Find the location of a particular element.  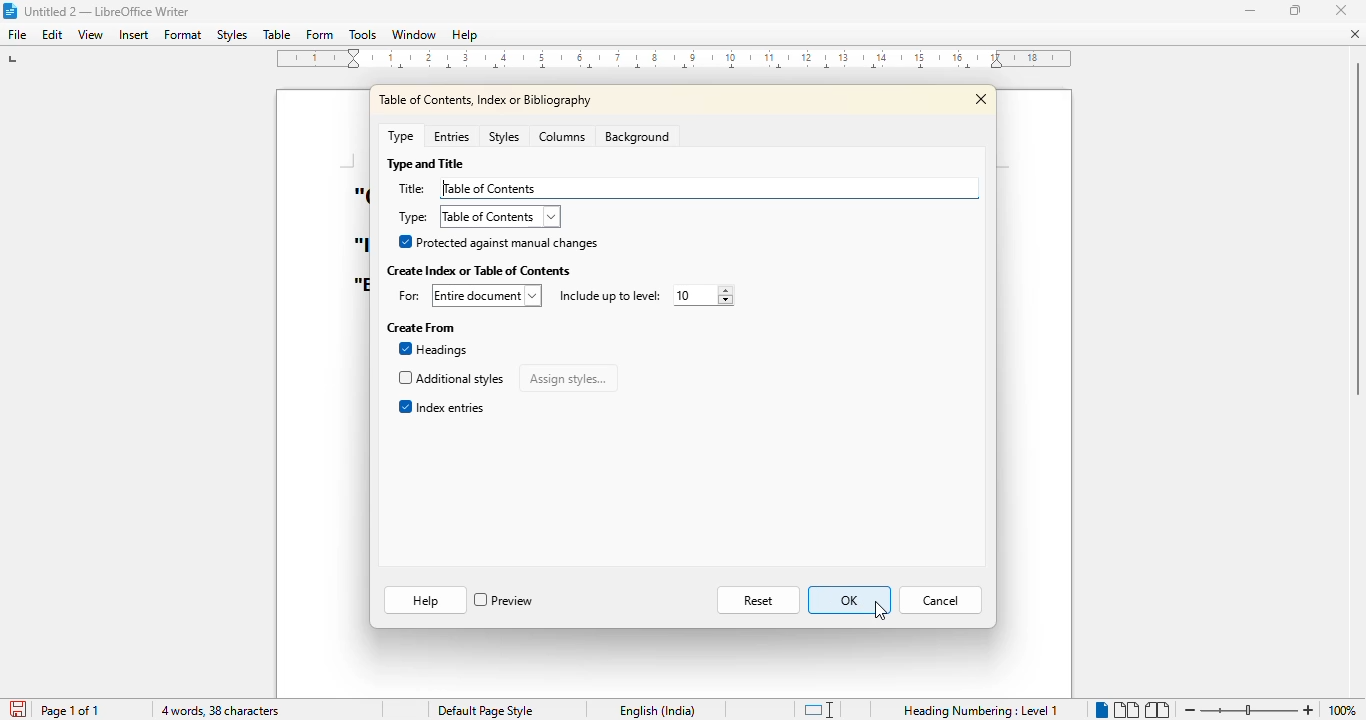

multi-page view is located at coordinates (1126, 709).